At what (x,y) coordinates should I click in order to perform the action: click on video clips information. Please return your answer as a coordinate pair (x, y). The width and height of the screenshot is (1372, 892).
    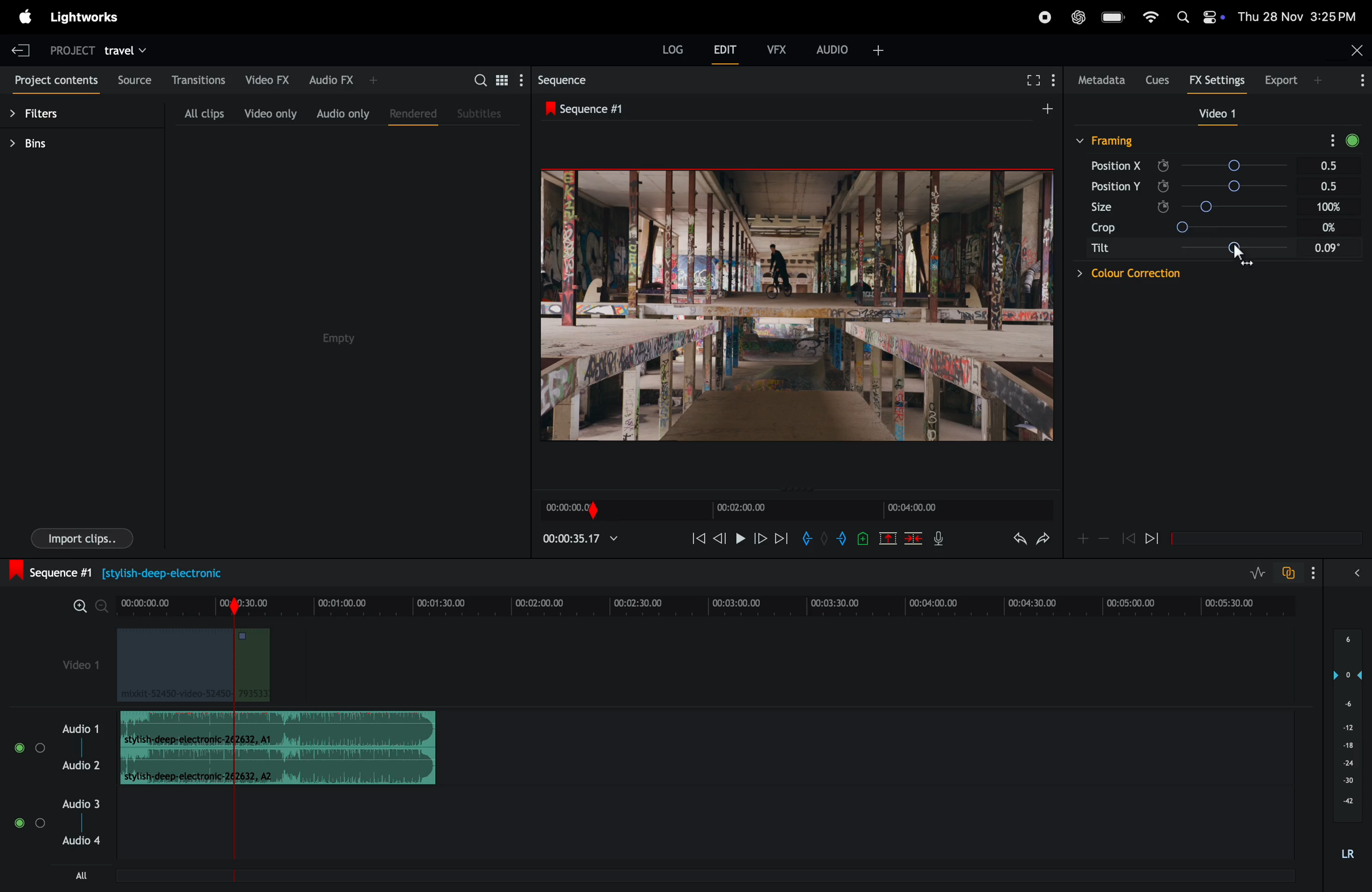
    Looking at the image, I should click on (197, 668).